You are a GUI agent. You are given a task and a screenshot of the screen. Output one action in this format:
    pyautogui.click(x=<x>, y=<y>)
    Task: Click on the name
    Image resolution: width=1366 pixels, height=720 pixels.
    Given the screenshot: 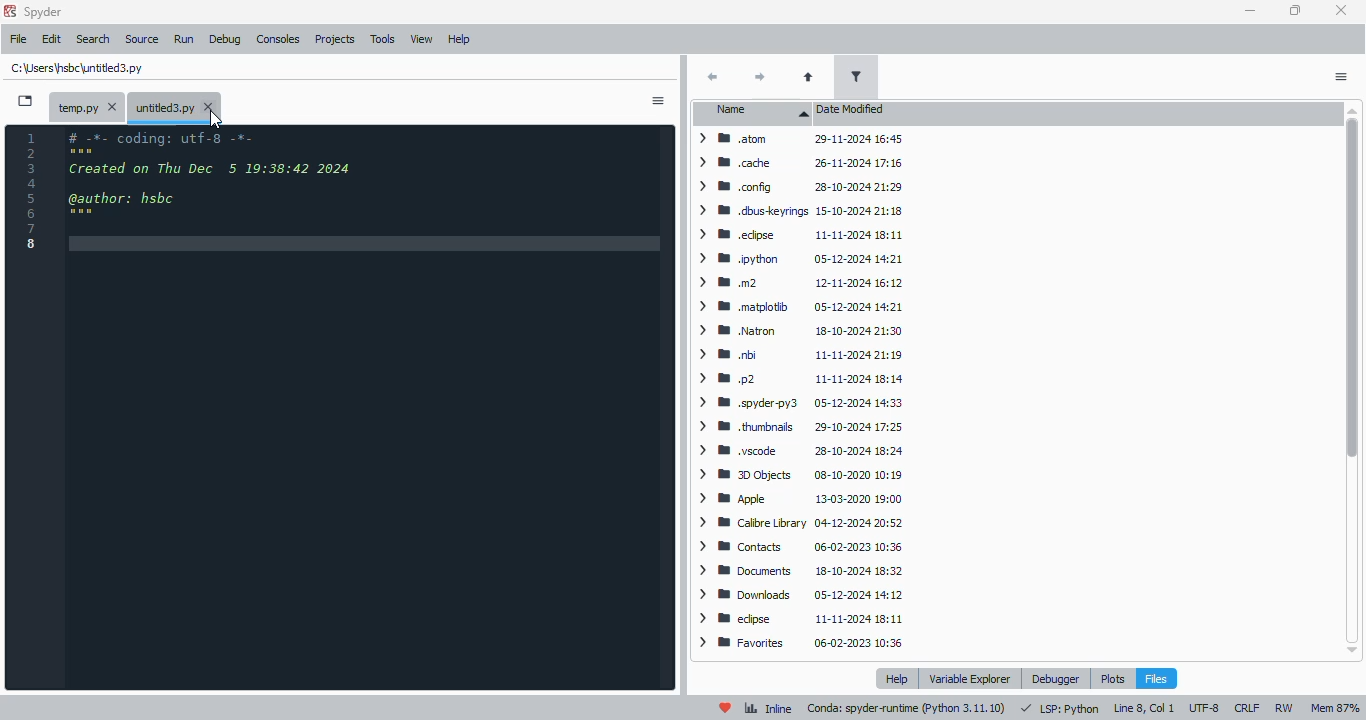 What is the action you would take?
    pyautogui.click(x=752, y=111)
    